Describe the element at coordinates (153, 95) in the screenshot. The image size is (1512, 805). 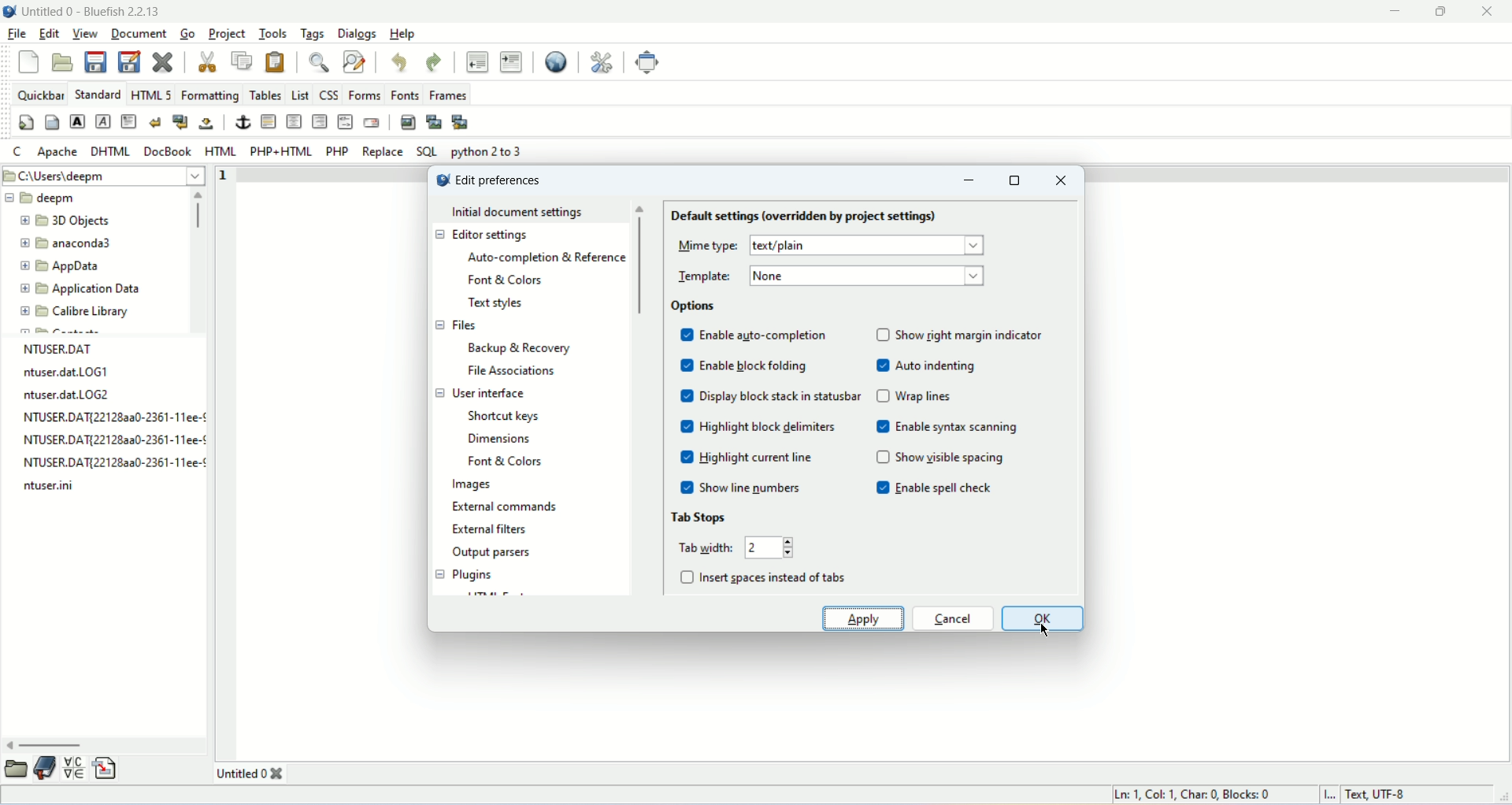
I see `HTML 5` at that location.